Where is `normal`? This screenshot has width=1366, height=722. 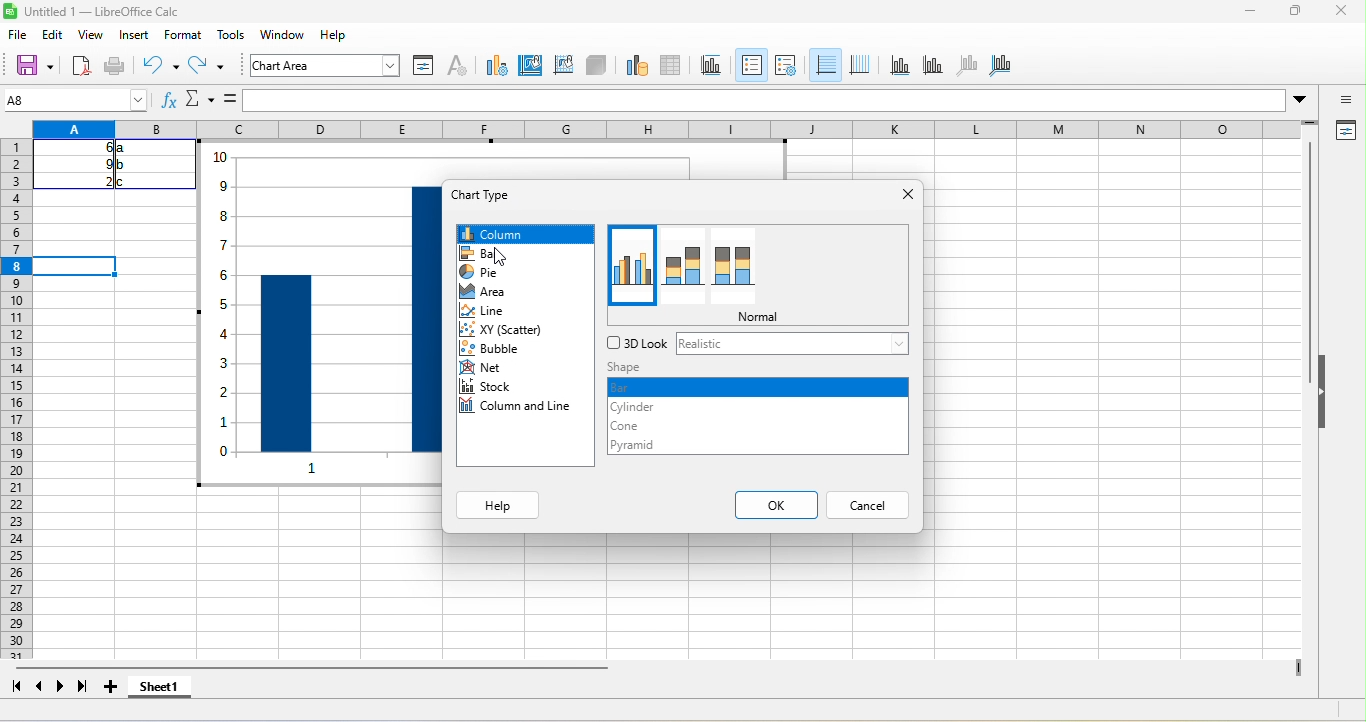
normal is located at coordinates (637, 267).